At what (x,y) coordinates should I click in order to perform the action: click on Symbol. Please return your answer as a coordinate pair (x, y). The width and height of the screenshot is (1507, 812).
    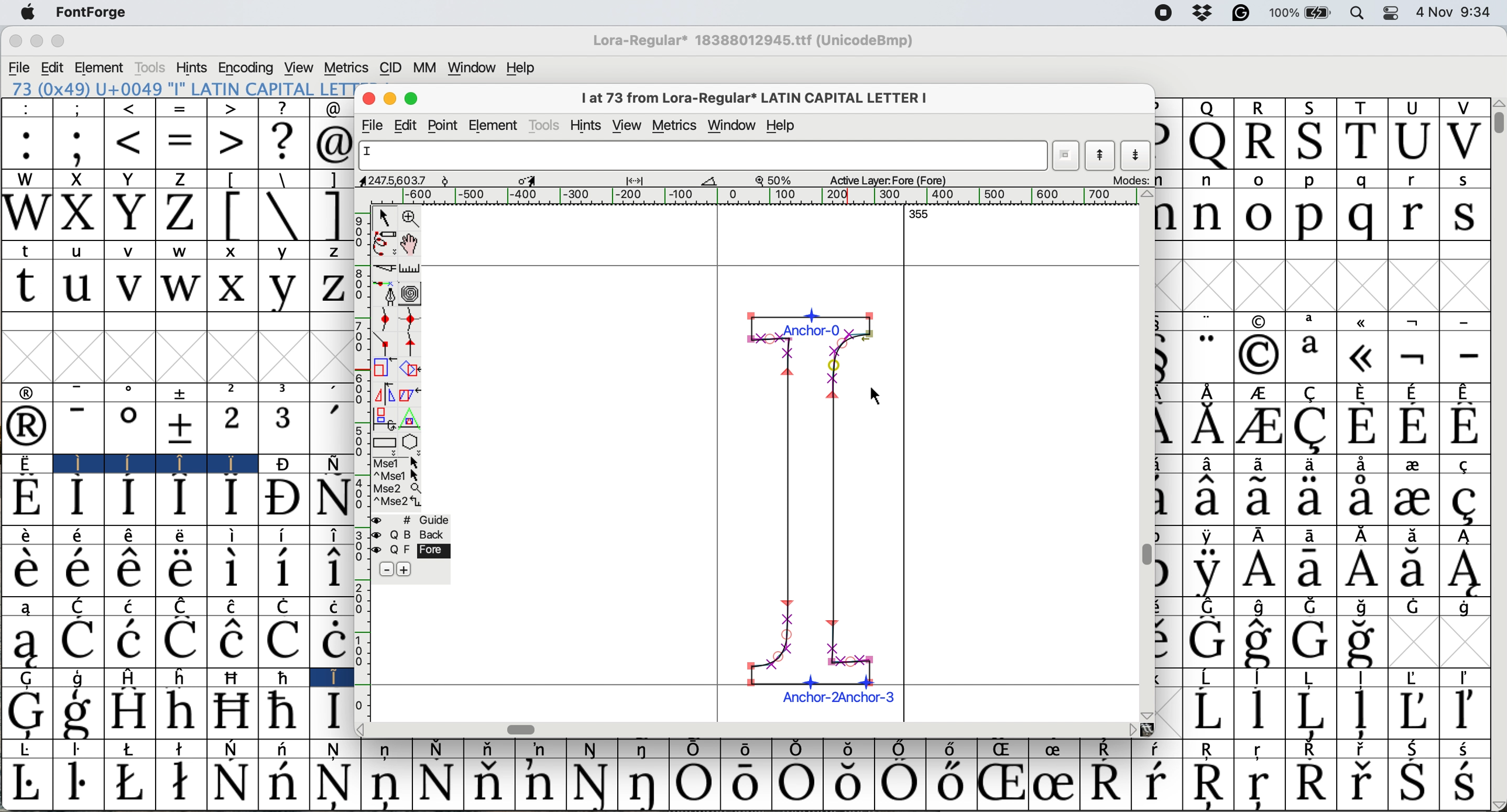
    Looking at the image, I should click on (1468, 677).